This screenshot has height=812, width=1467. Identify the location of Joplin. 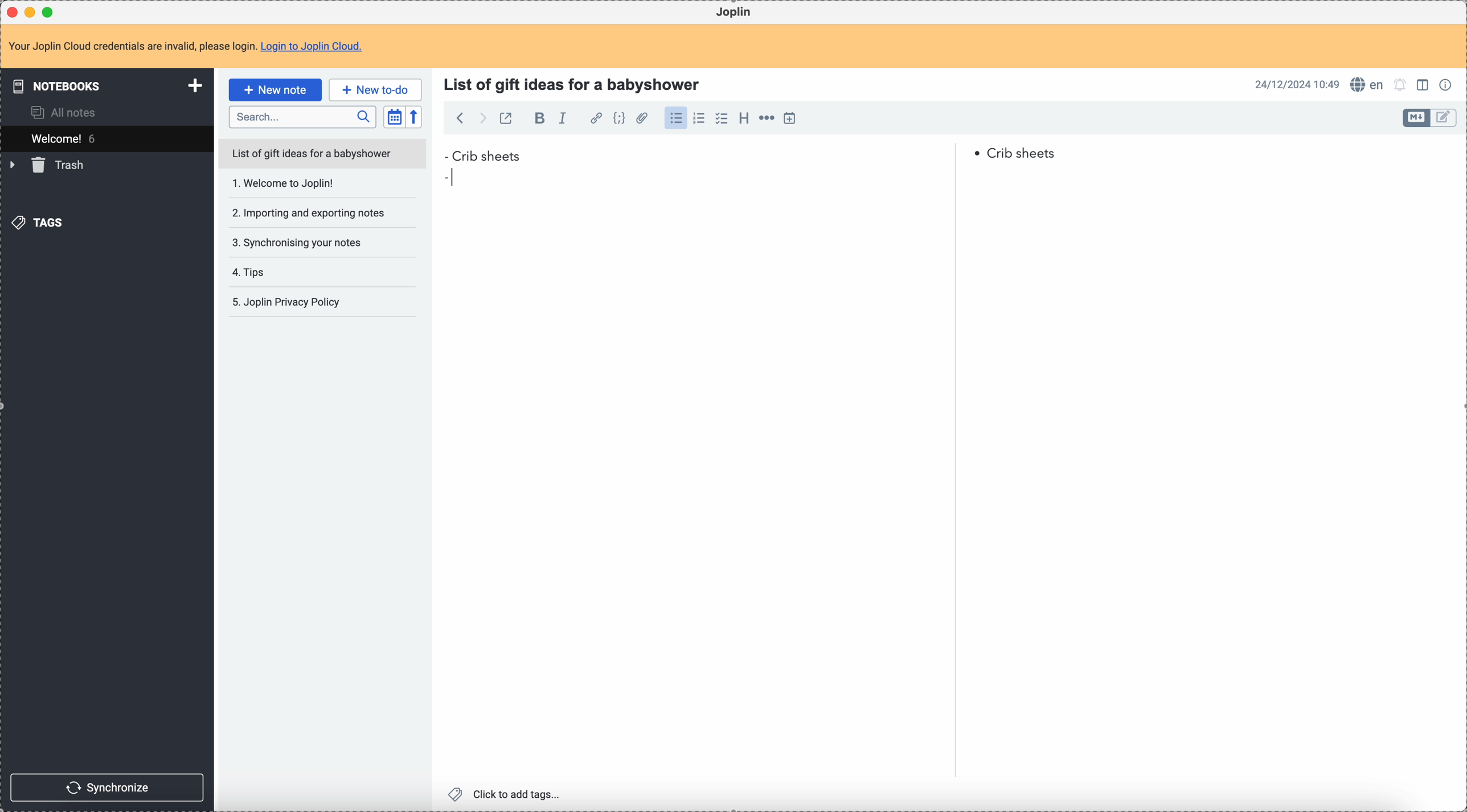
(736, 13).